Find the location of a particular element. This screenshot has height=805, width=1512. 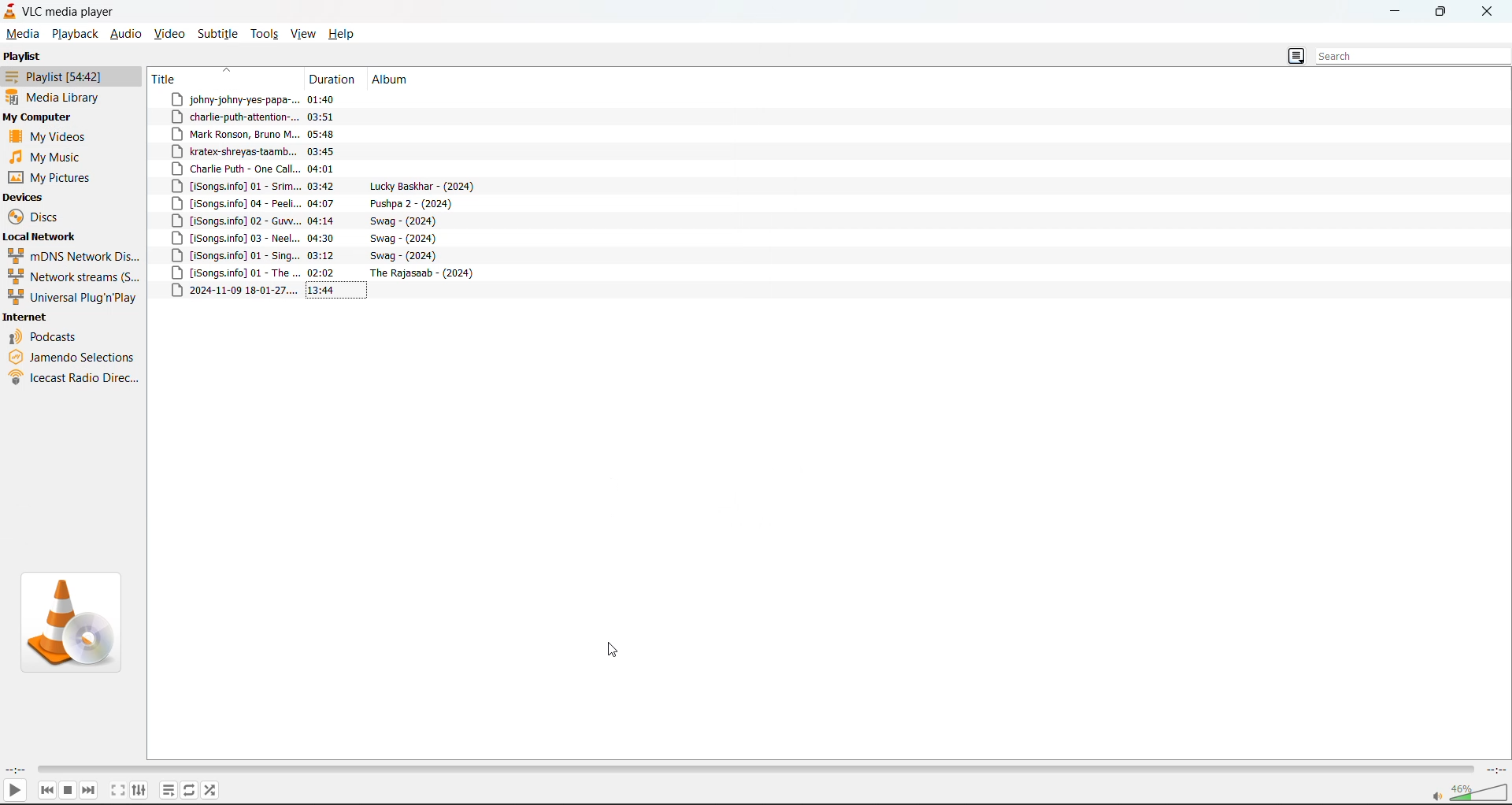

video is located at coordinates (172, 33).